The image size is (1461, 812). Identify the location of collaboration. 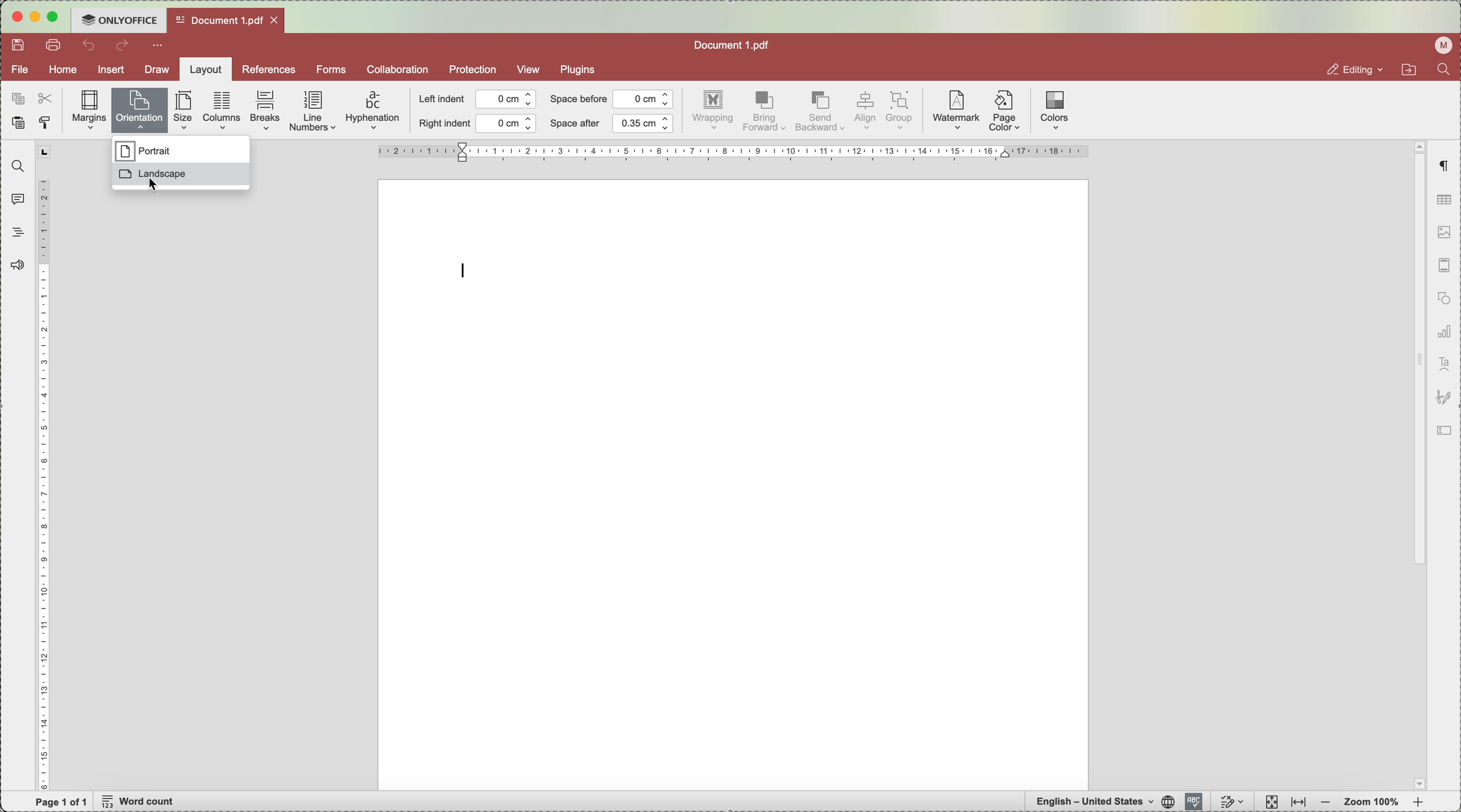
(397, 69).